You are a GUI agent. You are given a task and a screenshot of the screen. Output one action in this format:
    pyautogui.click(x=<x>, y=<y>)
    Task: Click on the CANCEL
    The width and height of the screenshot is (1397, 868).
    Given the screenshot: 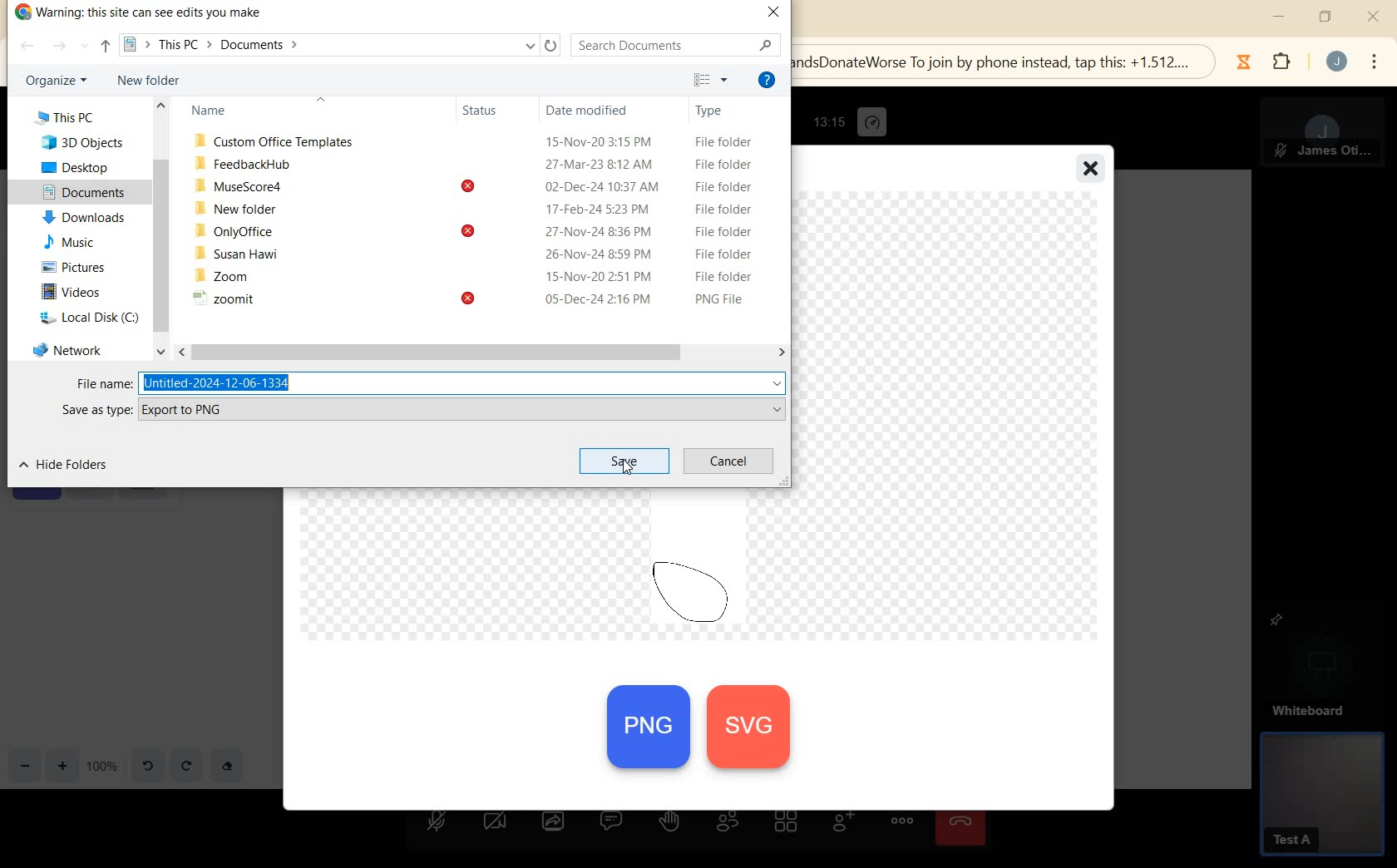 What is the action you would take?
    pyautogui.click(x=733, y=462)
    